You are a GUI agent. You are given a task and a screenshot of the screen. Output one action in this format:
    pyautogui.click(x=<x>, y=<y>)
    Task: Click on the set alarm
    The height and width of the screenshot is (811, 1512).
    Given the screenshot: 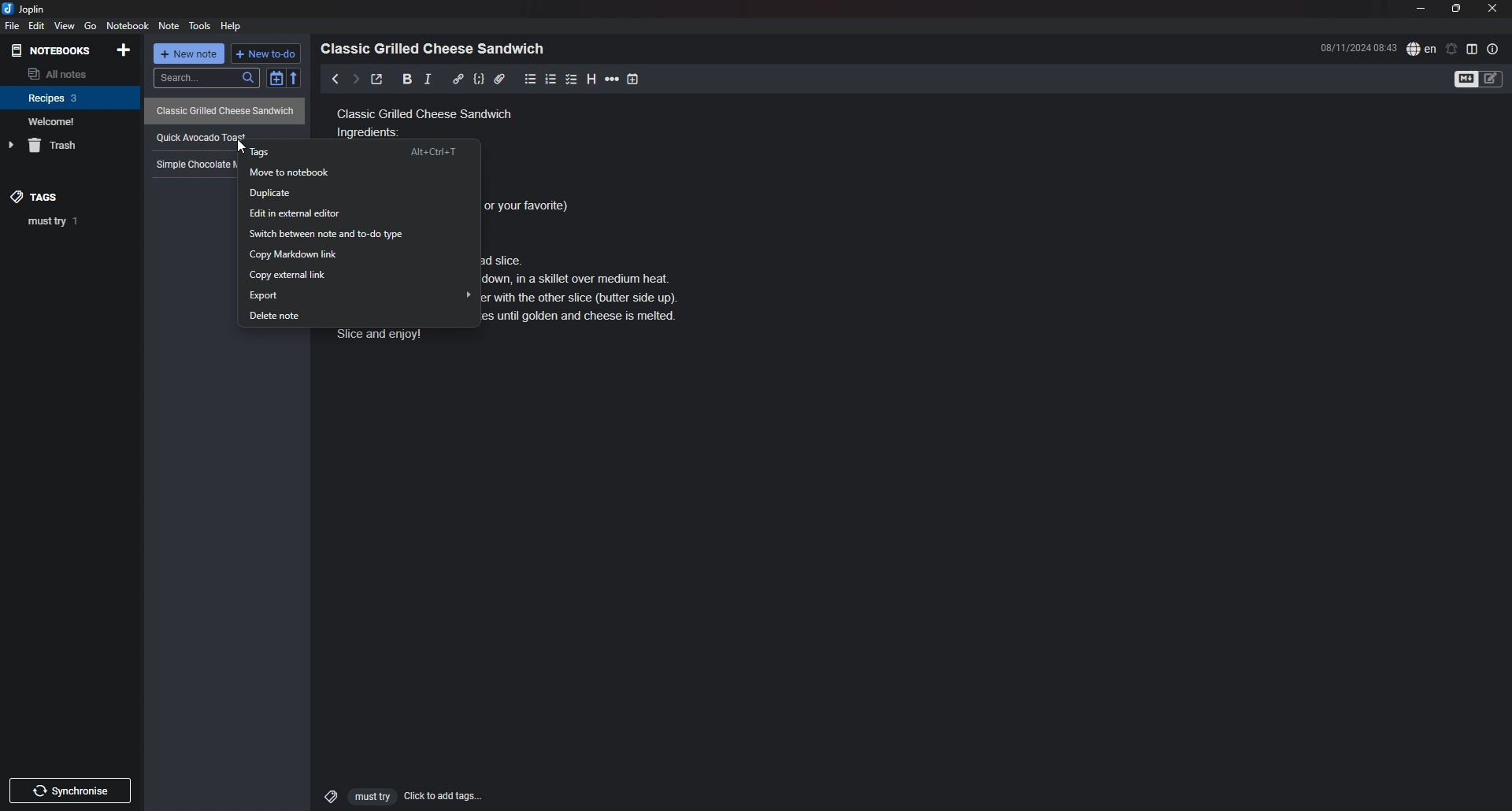 What is the action you would take?
    pyautogui.click(x=1452, y=48)
    